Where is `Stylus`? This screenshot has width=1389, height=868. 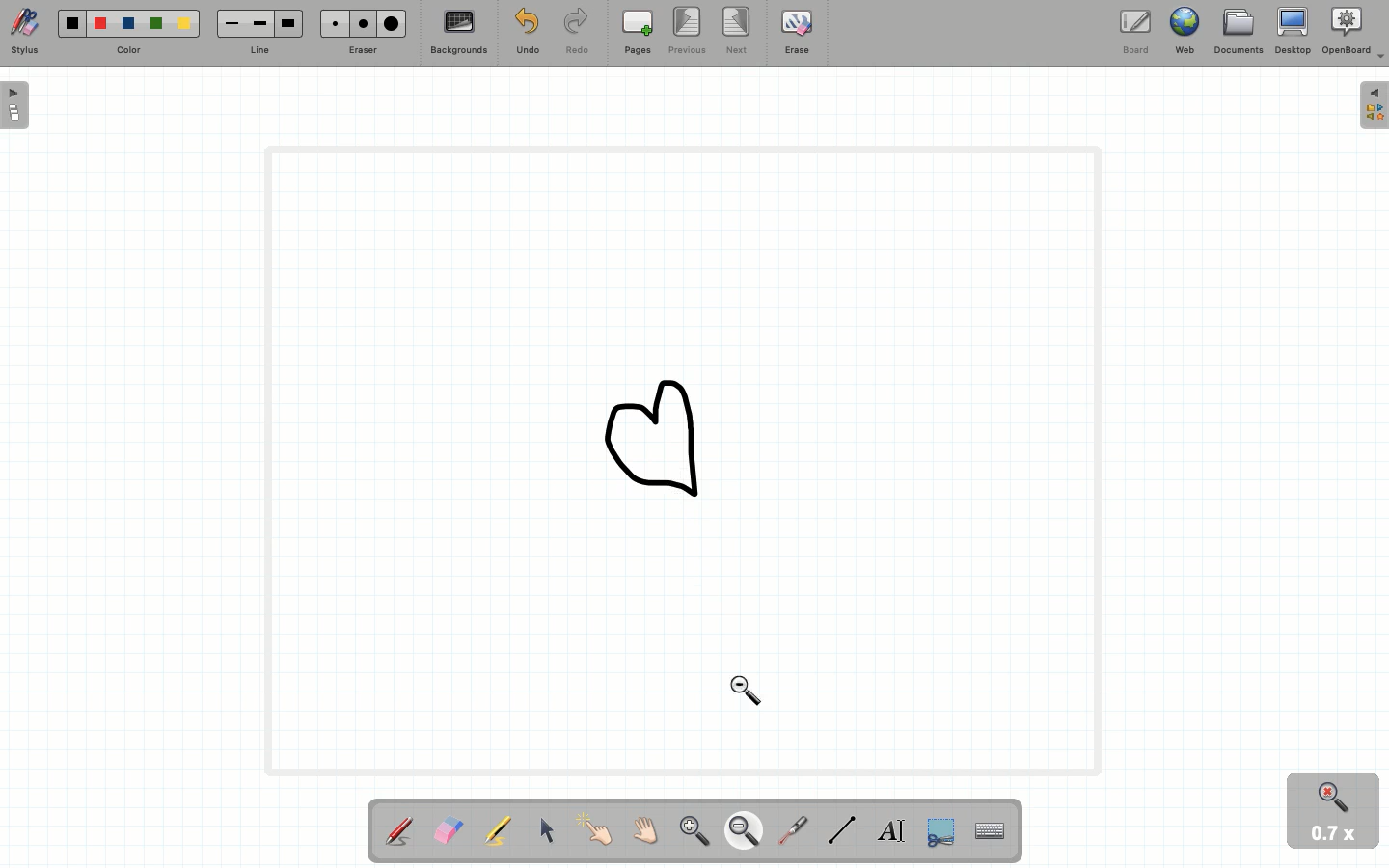 Stylus is located at coordinates (26, 32).